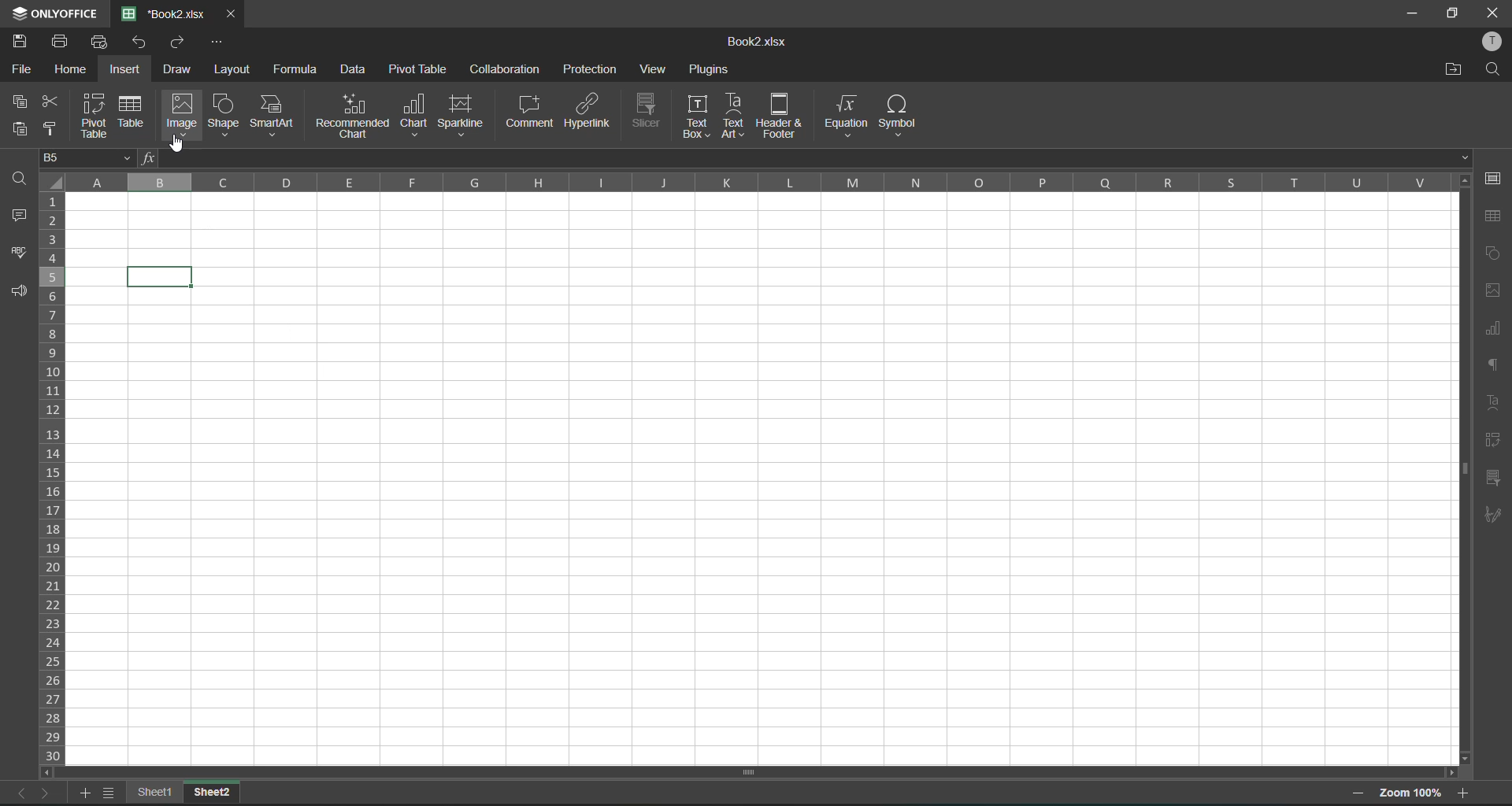  Describe the element at coordinates (1495, 289) in the screenshot. I see `images` at that location.